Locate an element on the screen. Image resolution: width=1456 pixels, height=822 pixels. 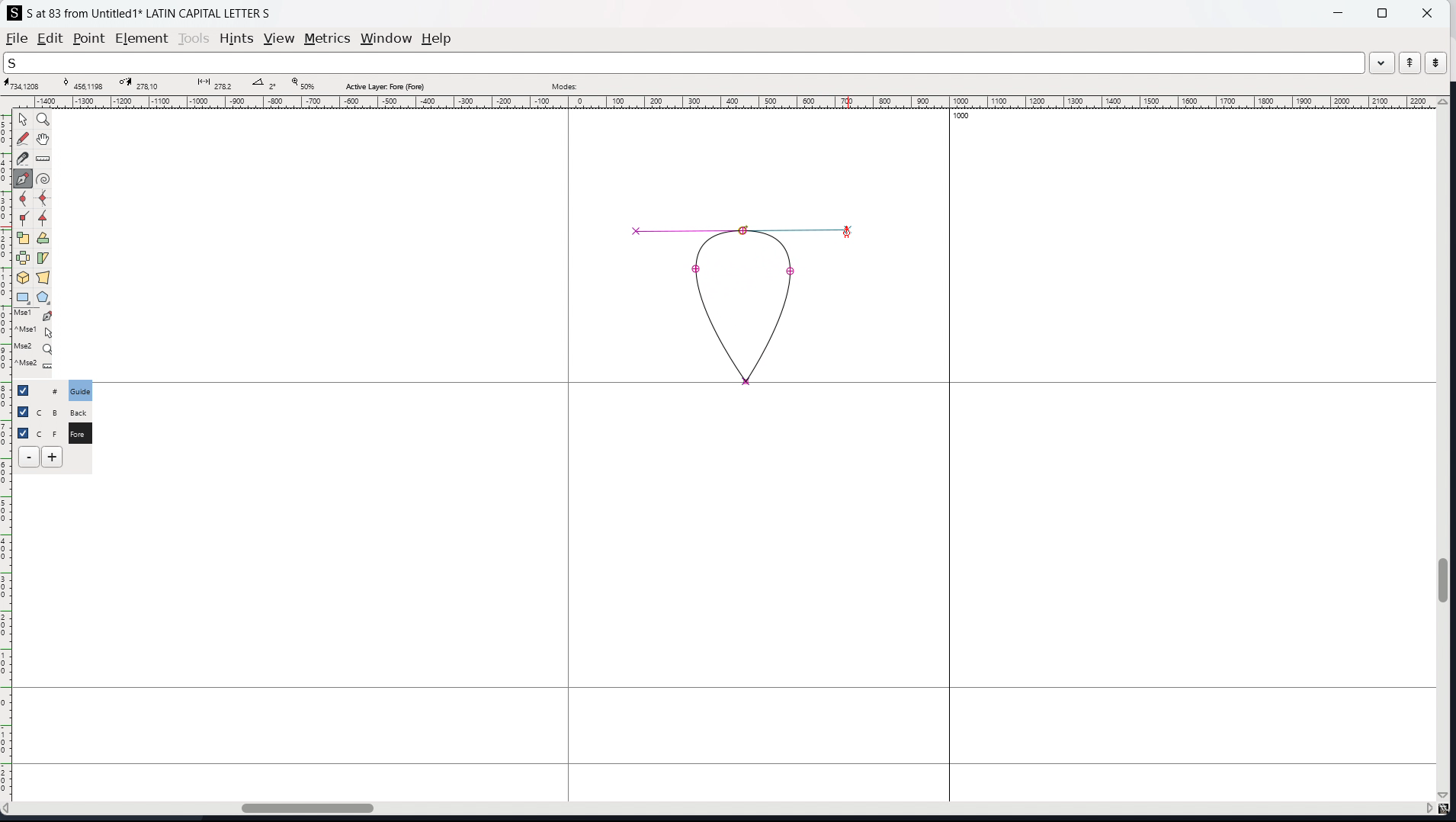
shape is located at coordinates (746, 296).